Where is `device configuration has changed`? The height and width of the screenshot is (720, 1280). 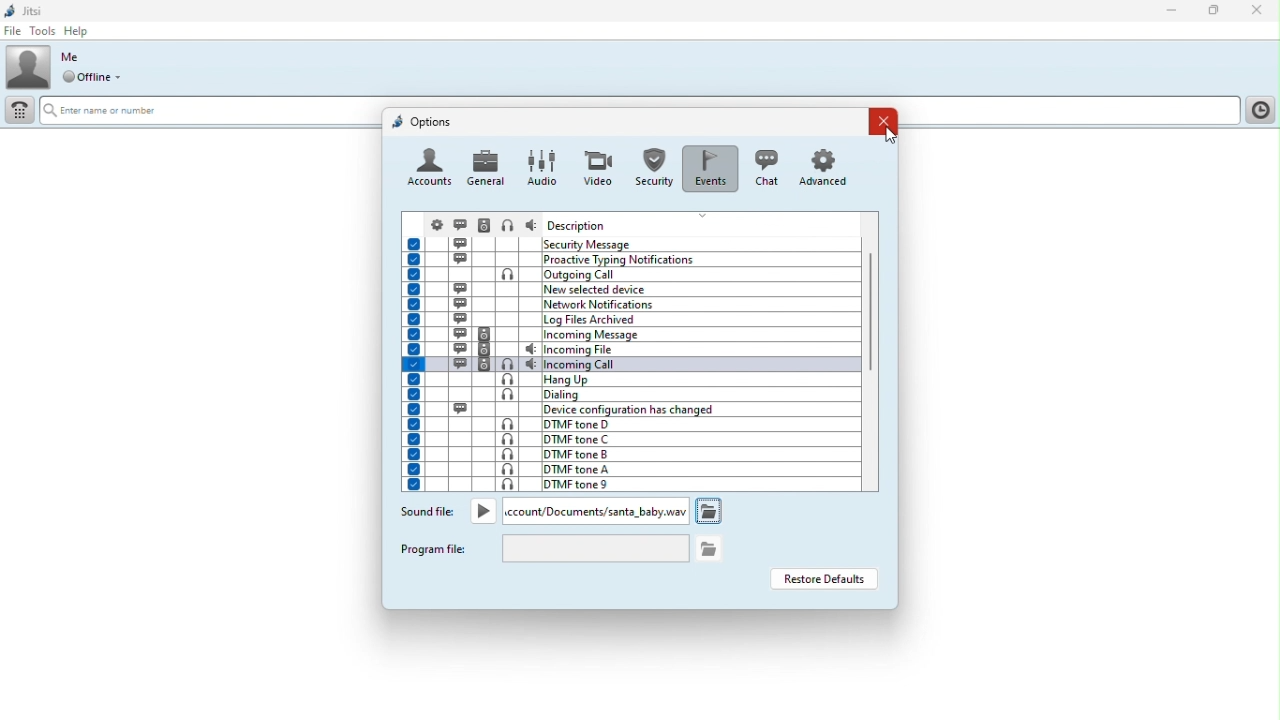
device configuration has changed is located at coordinates (632, 408).